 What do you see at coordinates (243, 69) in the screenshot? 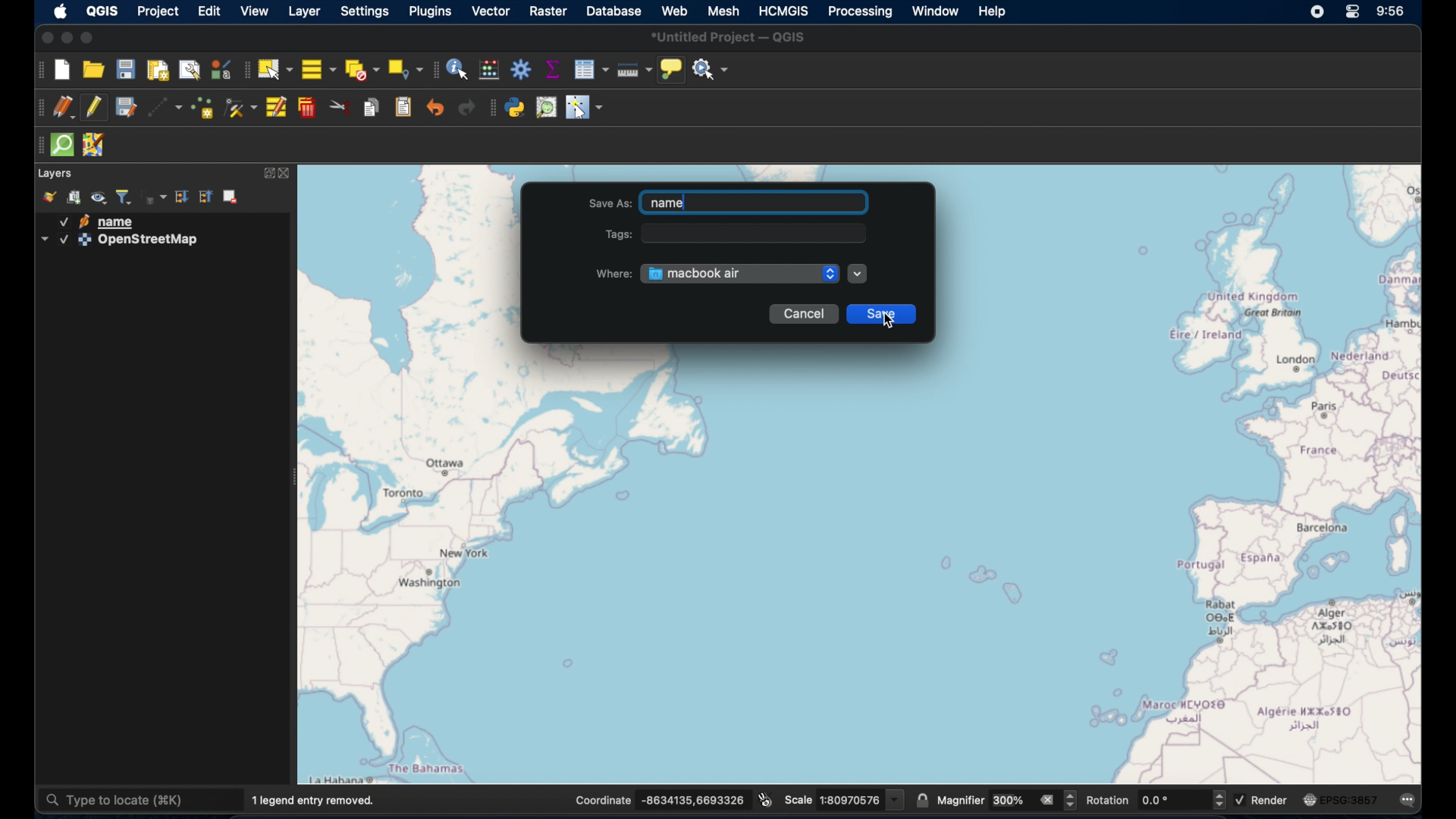
I see `selection toolbar` at bounding box center [243, 69].